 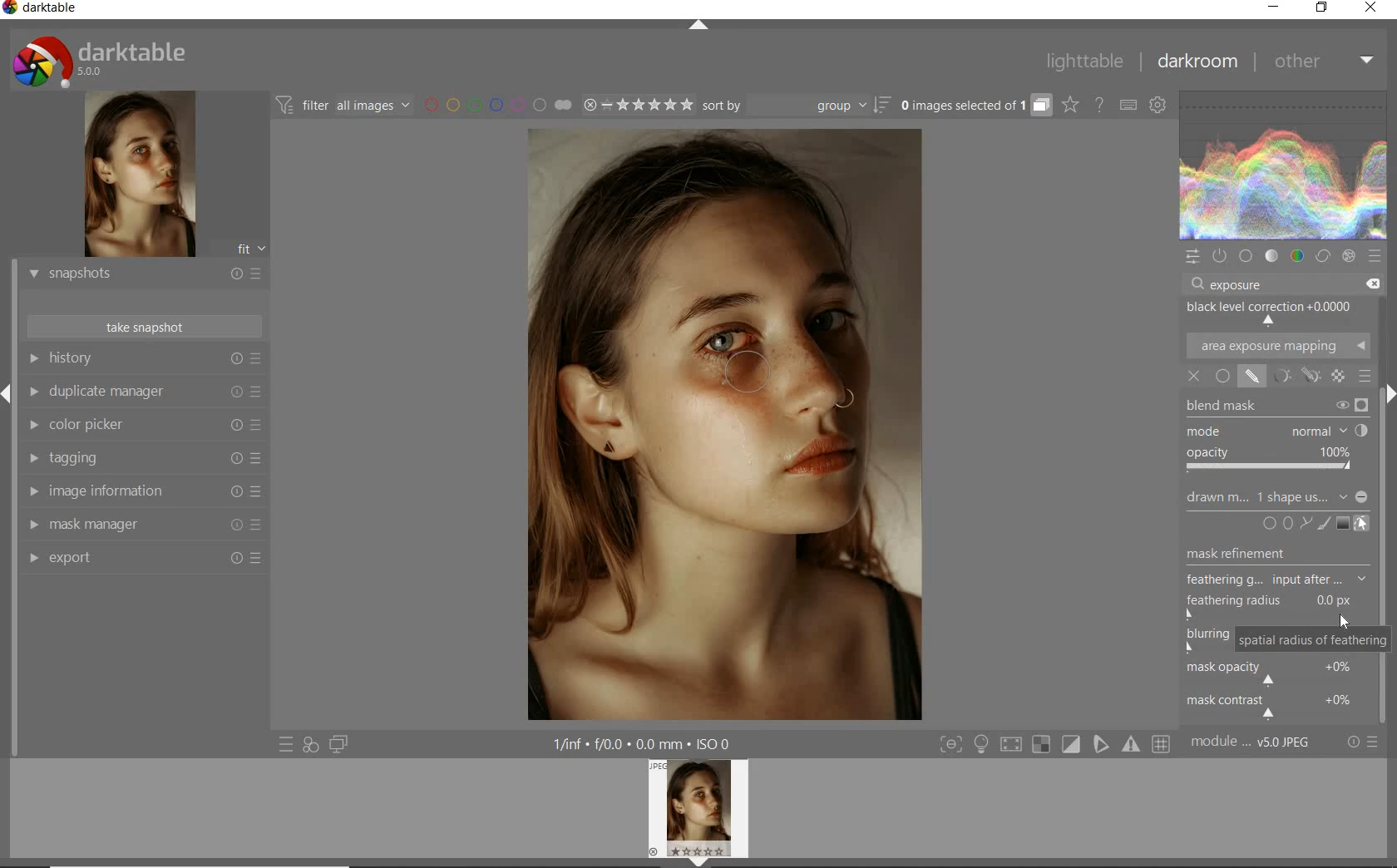 I want to click on DRAWN MASK, so click(x=763, y=381).